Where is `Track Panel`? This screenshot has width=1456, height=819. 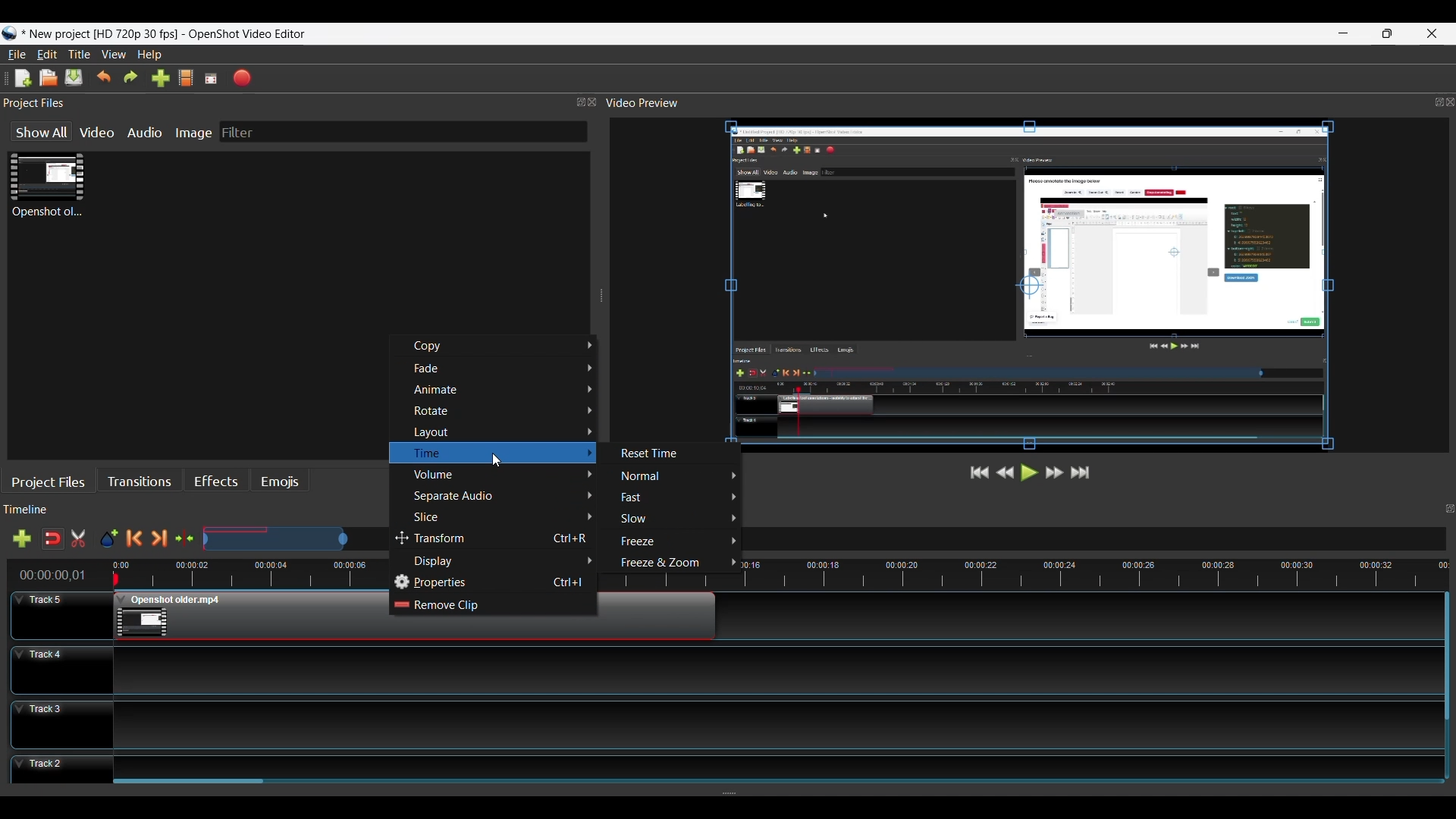 Track Panel is located at coordinates (773, 723).